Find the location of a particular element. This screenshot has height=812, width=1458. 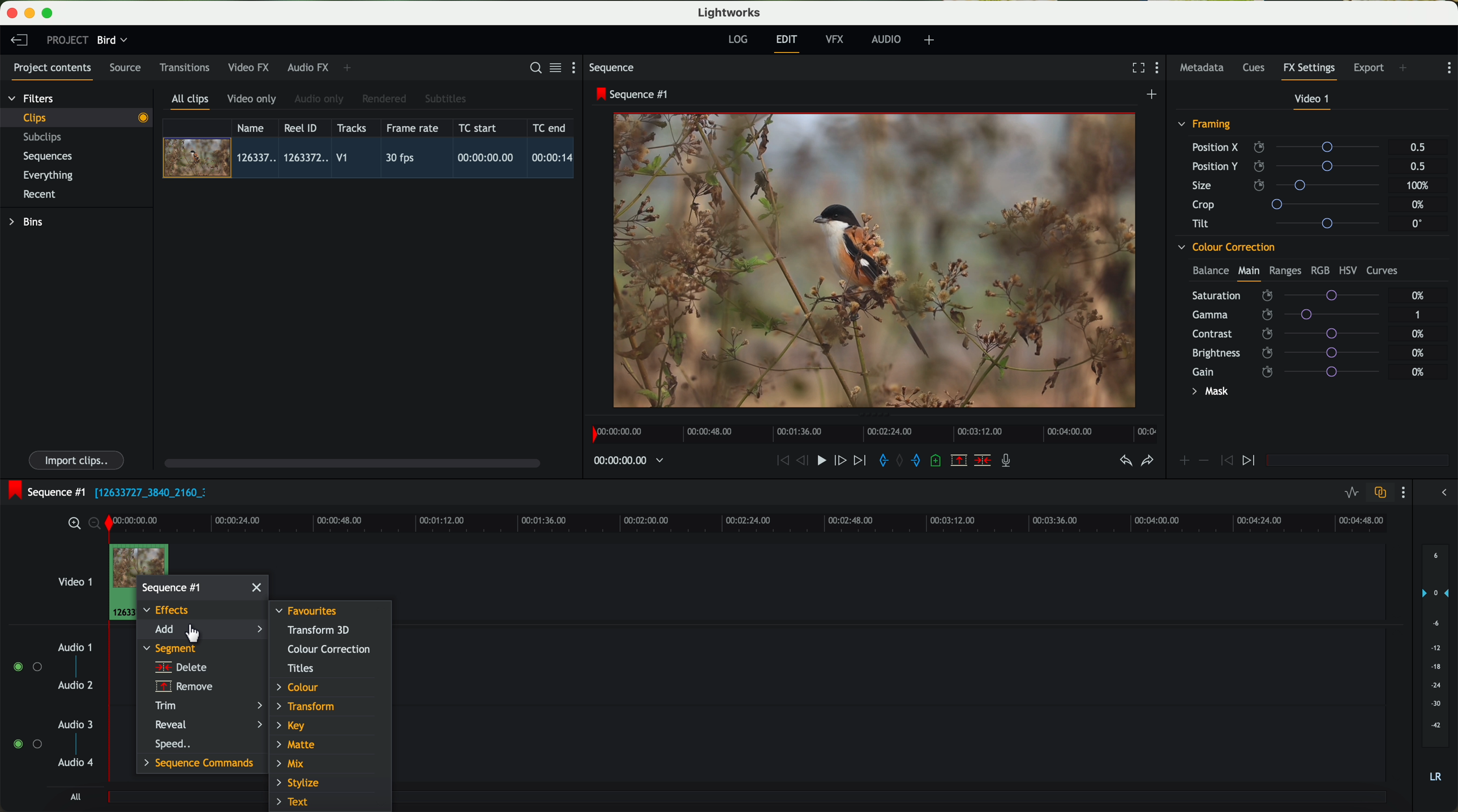

bird is located at coordinates (112, 41).